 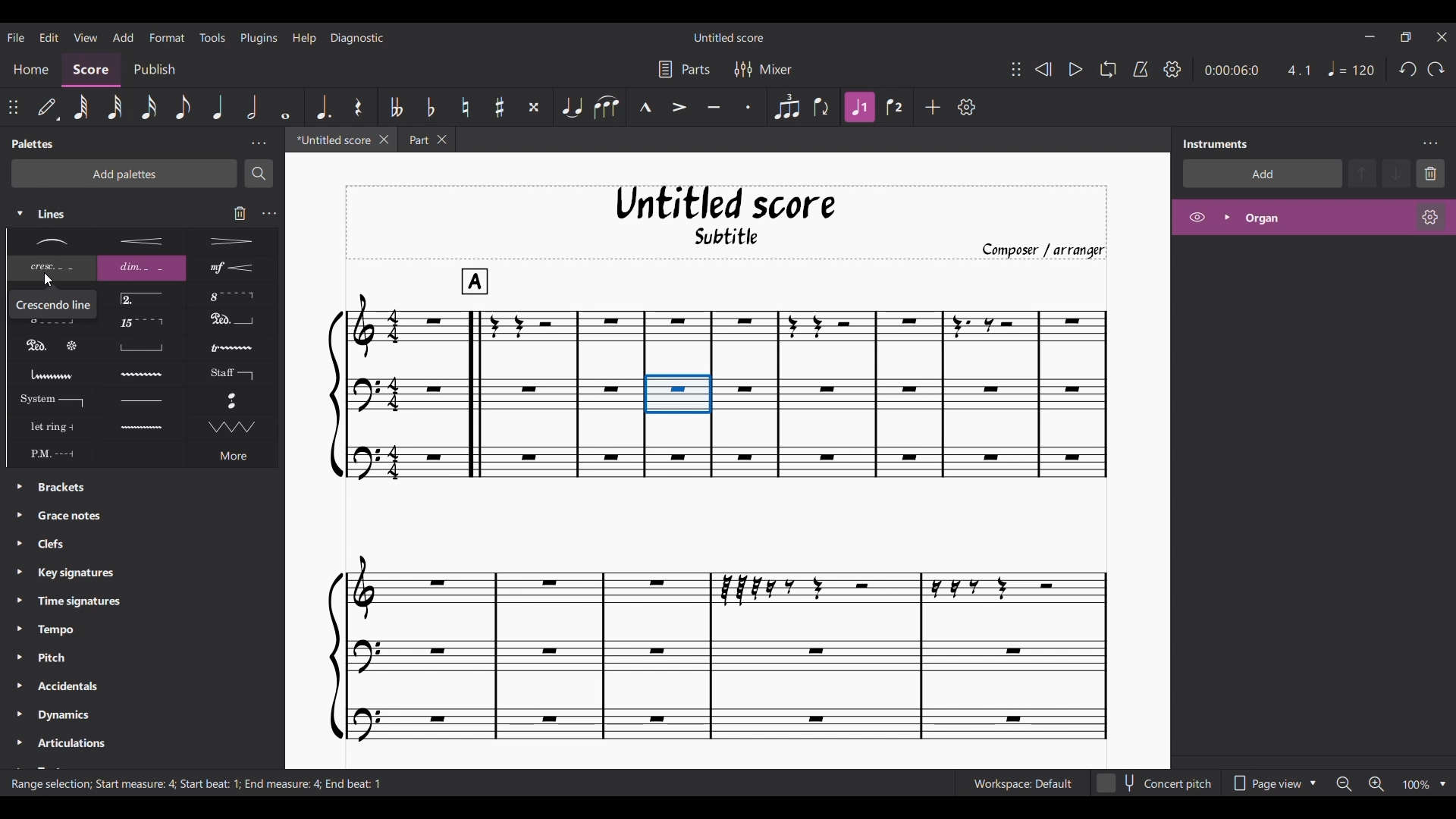 What do you see at coordinates (81, 108) in the screenshot?
I see `64th note` at bounding box center [81, 108].